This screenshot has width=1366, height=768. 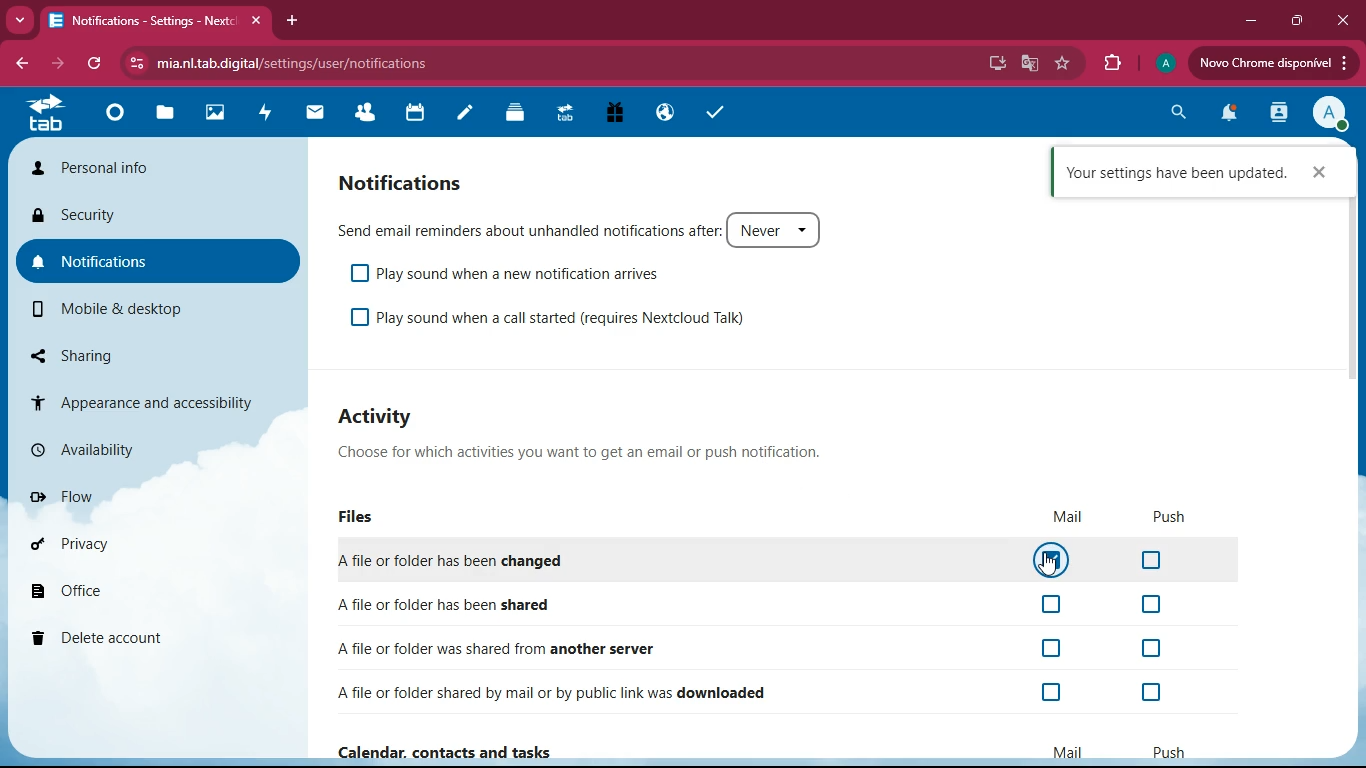 I want to click on flow, so click(x=117, y=497).